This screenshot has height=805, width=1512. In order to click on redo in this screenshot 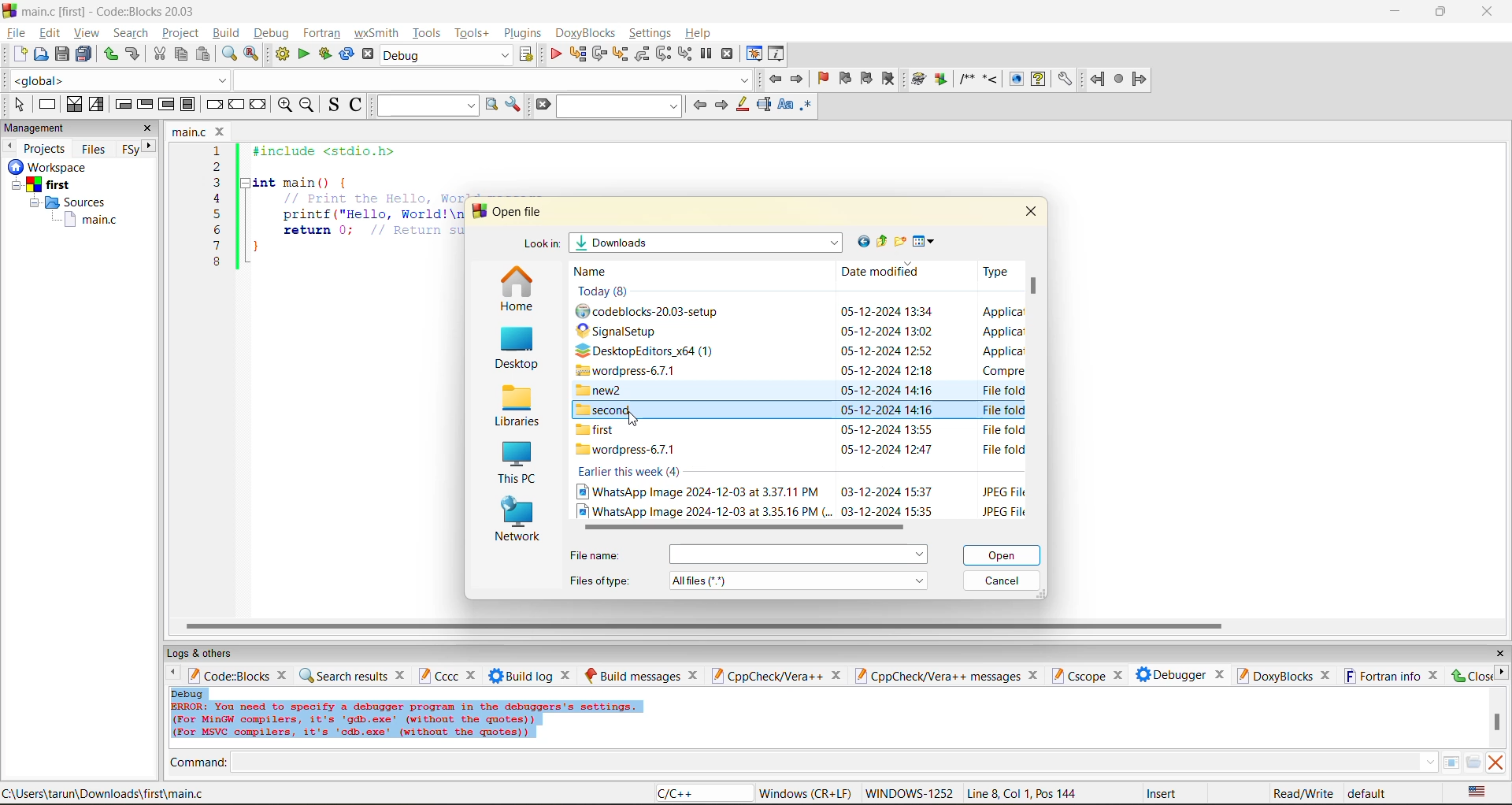, I will do `click(110, 54)`.